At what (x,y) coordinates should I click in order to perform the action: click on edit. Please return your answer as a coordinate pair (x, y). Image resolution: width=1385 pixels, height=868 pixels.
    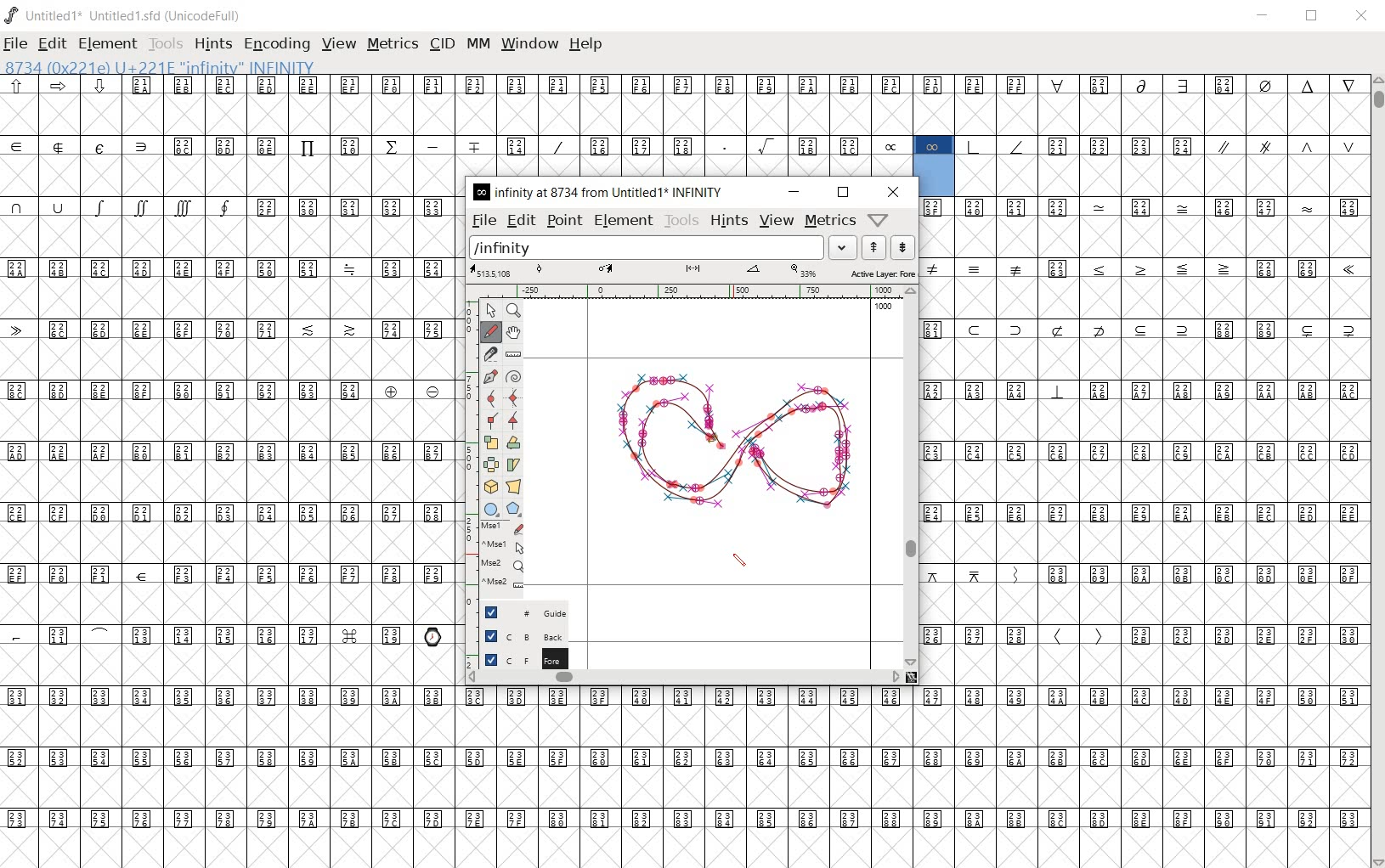
    Looking at the image, I should click on (51, 43).